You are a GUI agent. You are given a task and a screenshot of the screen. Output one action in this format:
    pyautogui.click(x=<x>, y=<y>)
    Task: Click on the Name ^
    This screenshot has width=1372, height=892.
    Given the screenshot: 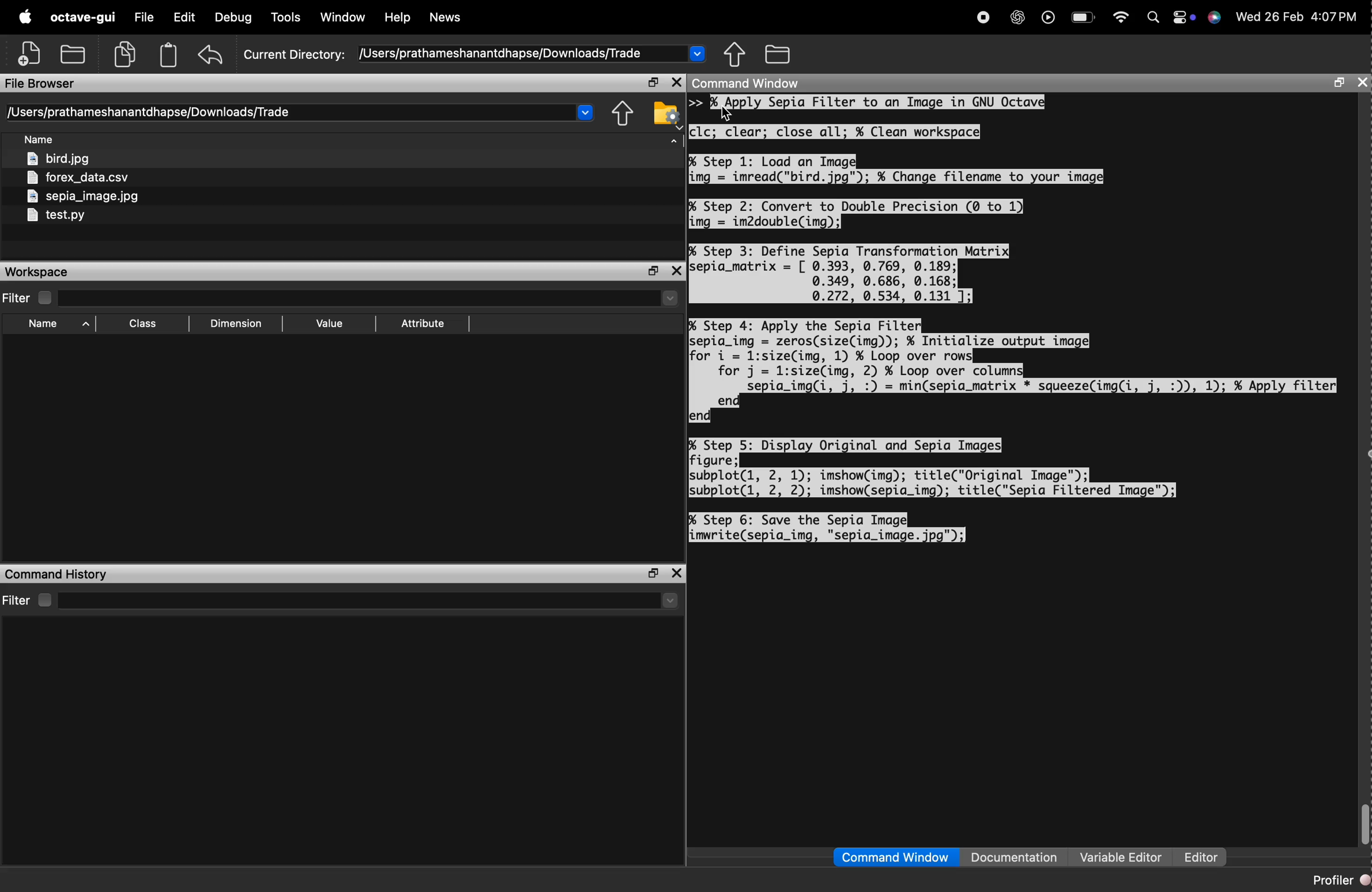 What is the action you would take?
    pyautogui.click(x=61, y=324)
    